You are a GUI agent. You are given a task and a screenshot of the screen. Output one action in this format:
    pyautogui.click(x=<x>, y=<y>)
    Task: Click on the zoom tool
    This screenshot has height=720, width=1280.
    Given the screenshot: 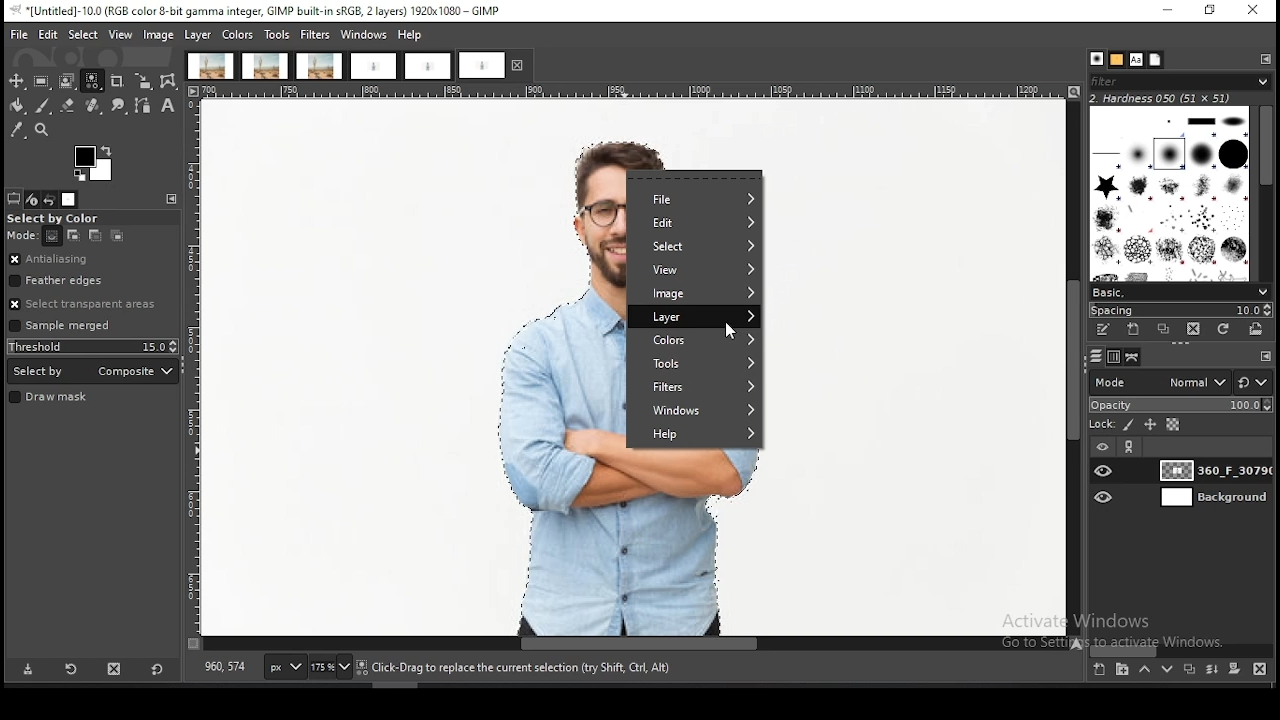 What is the action you would take?
    pyautogui.click(x=40, y=128)
    